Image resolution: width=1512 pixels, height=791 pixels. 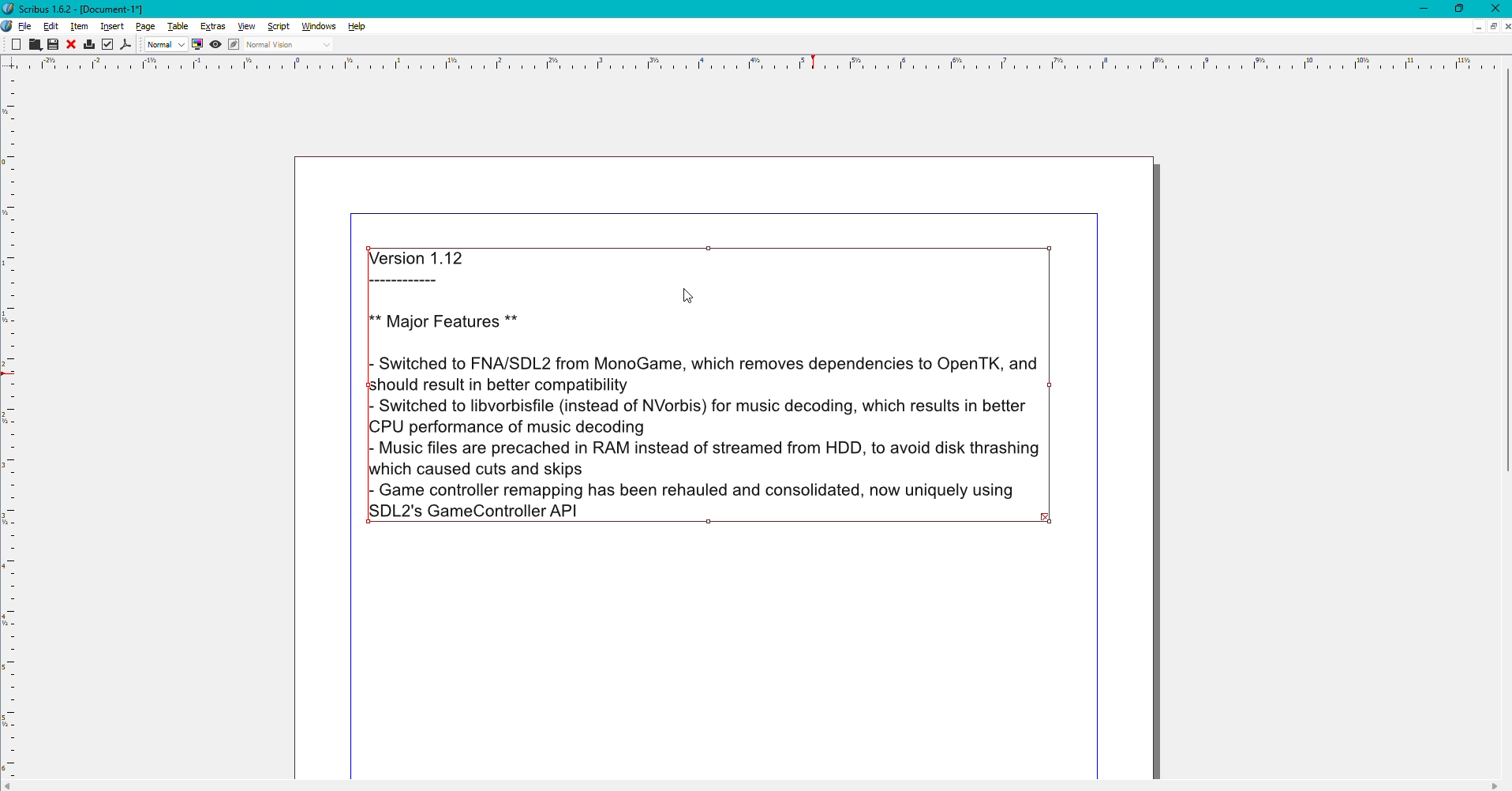 I want to click on Cursor, so click(x=687, y=296).